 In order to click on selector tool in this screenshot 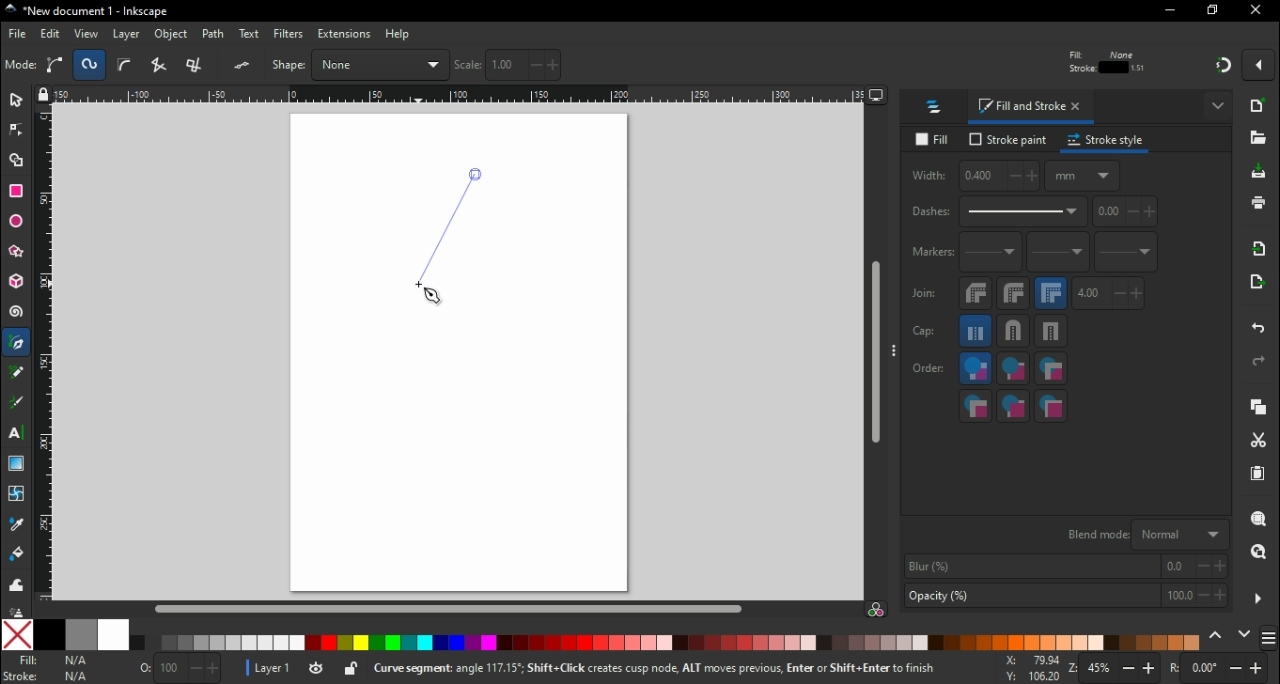, I will do `click(17, 104)`.